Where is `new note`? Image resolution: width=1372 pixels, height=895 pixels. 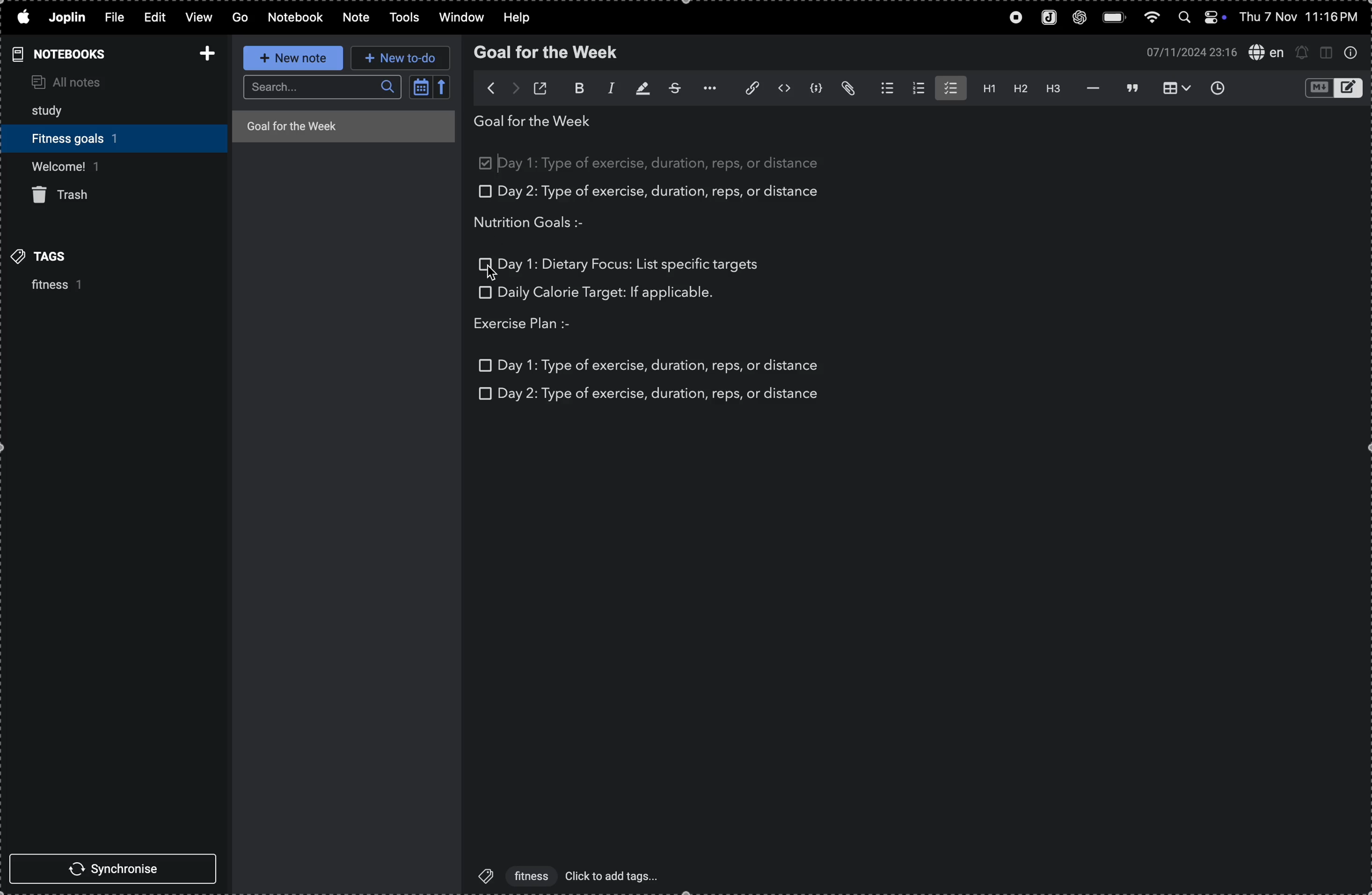 new note is located at coordinates (292, 57).